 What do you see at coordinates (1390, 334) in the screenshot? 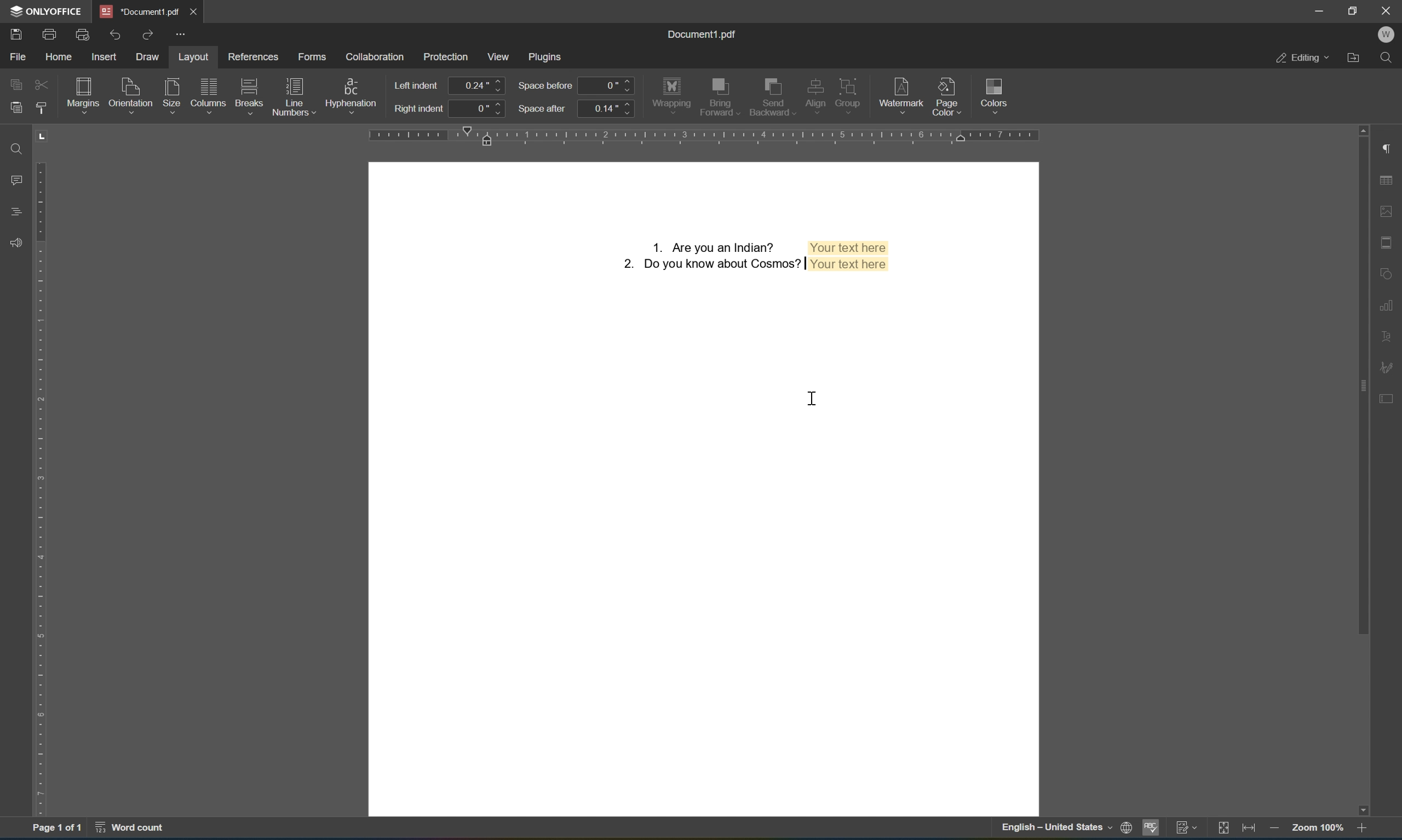
I see `text art settings` at bounding box center [1390, 334].